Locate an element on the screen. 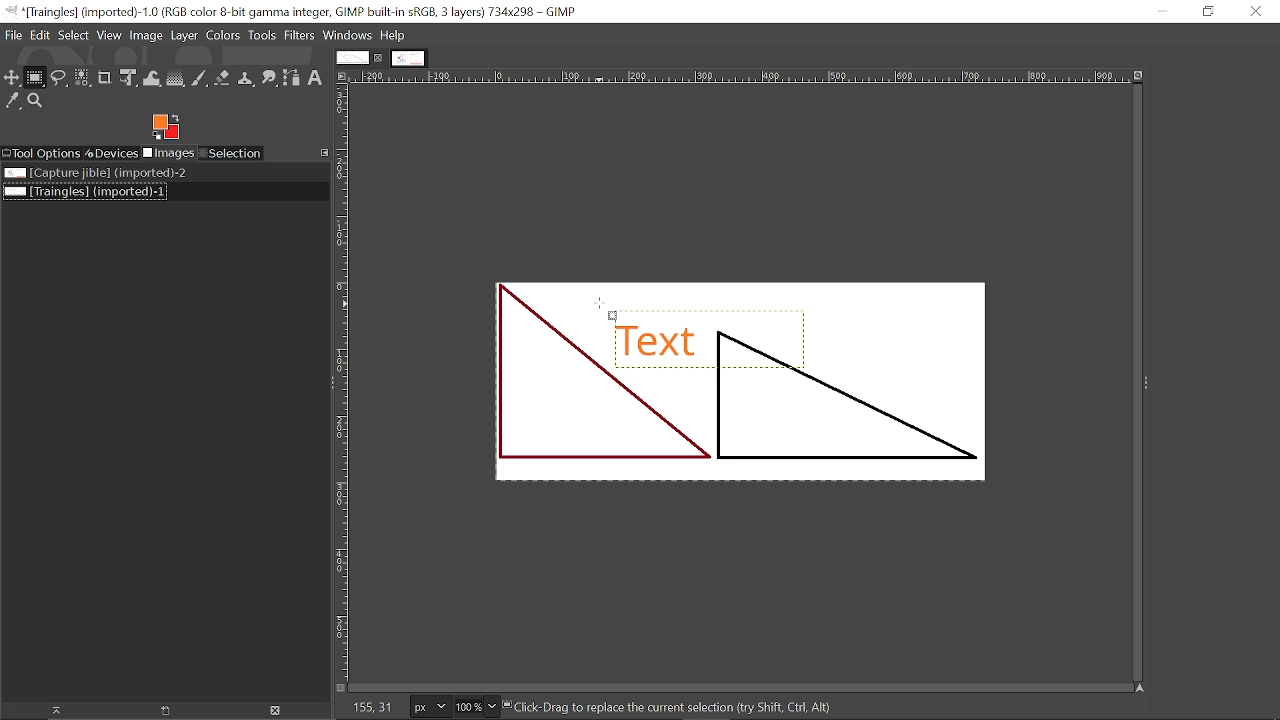 This screenshot has height=720, width=1280. Windows is located at coordinates (347, 36).